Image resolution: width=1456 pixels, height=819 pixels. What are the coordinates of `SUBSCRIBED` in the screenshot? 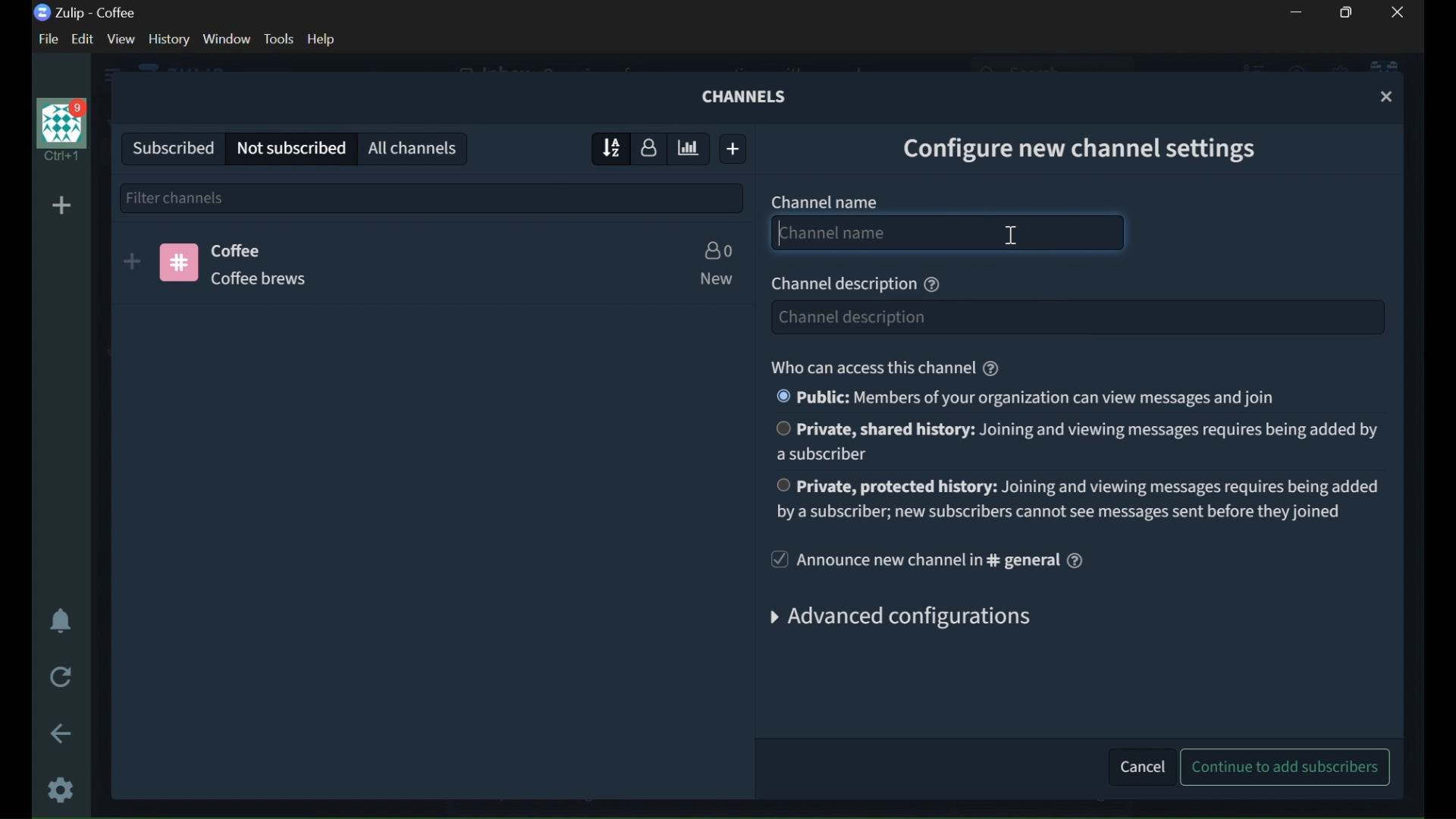 It's located at (168, 146).